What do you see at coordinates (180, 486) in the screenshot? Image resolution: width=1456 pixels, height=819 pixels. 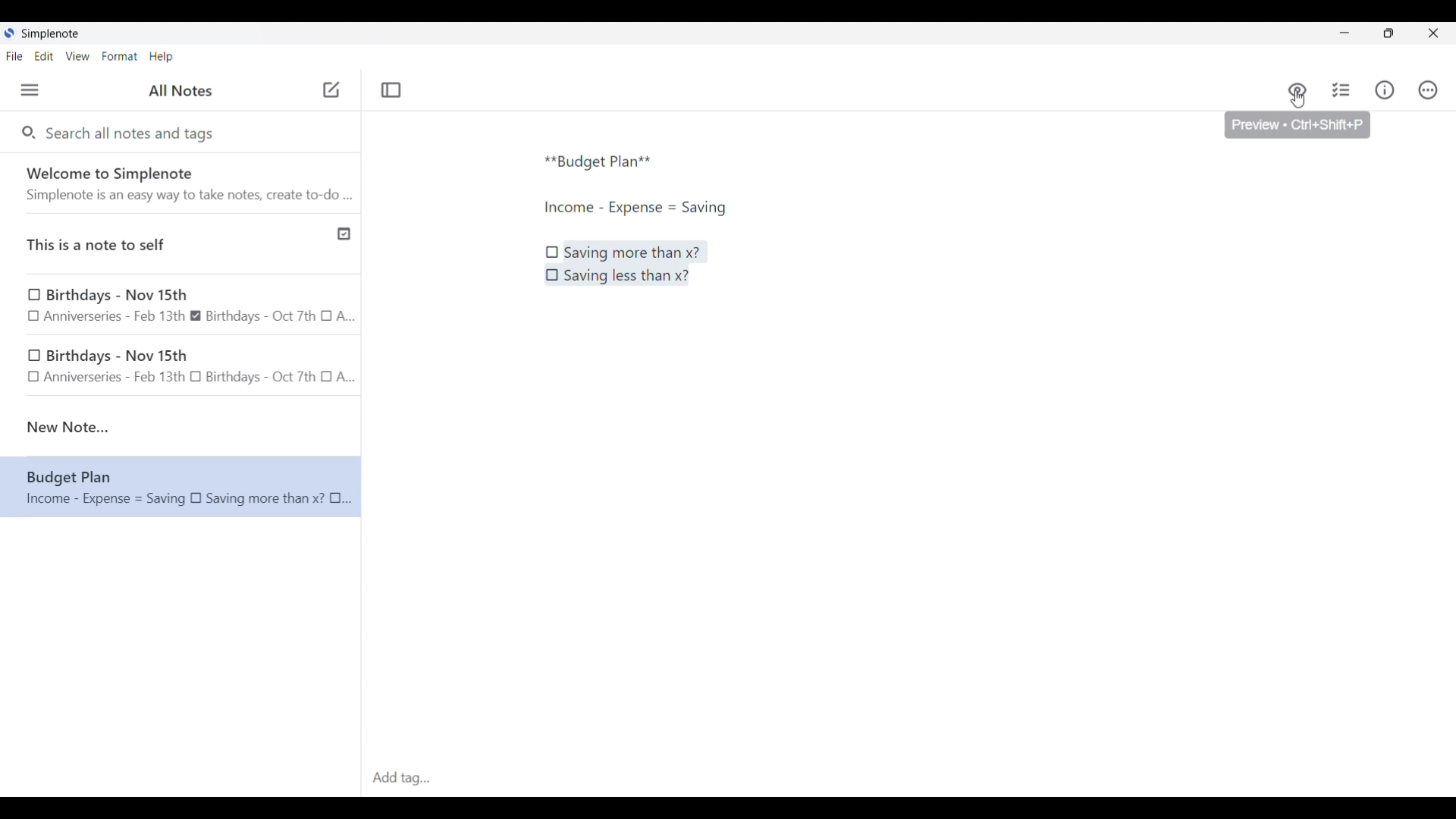 I see `Note text changed` at bounding box center [180, 486].